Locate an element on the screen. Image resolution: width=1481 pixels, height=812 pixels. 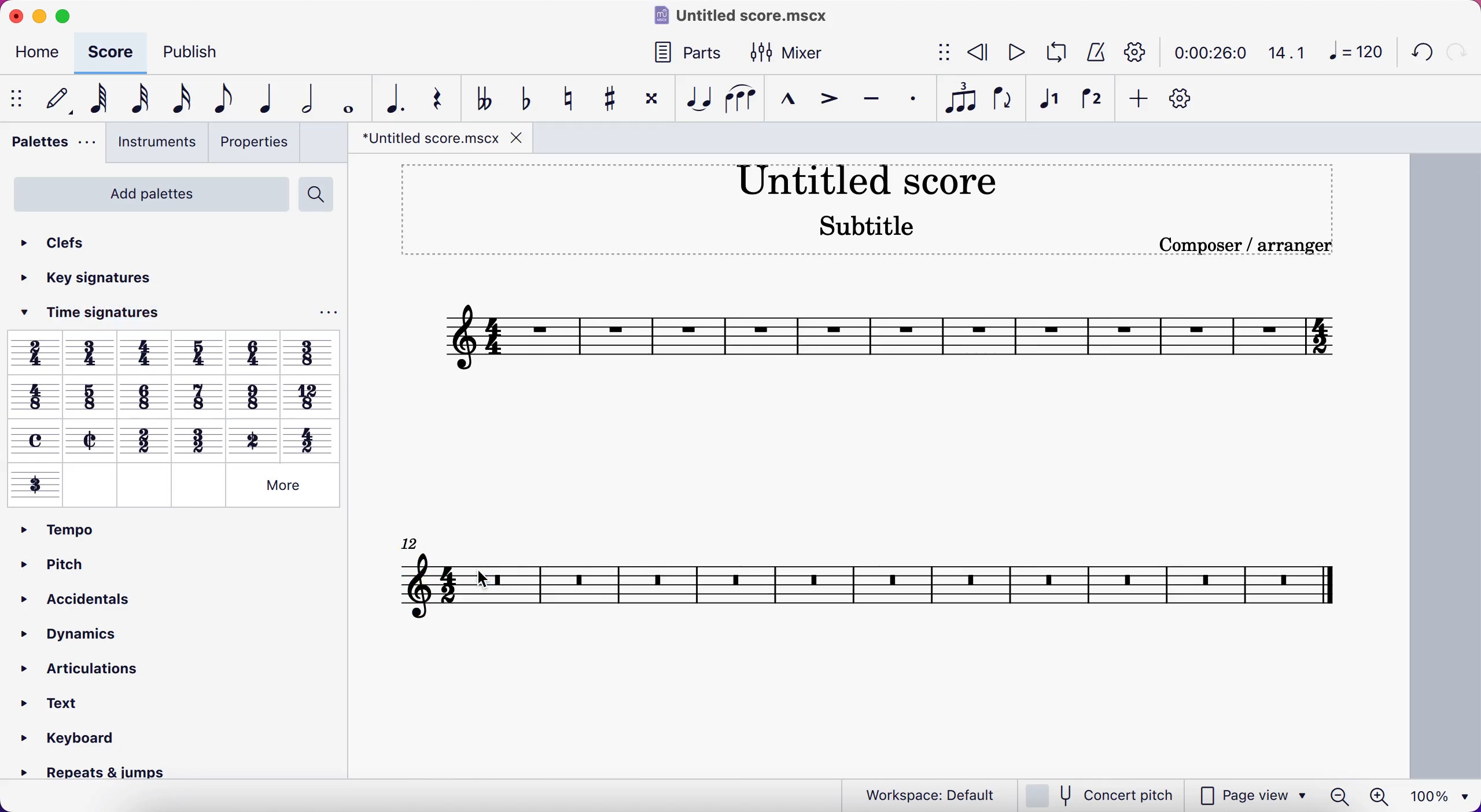
time is located at coordinates (1204, 53).